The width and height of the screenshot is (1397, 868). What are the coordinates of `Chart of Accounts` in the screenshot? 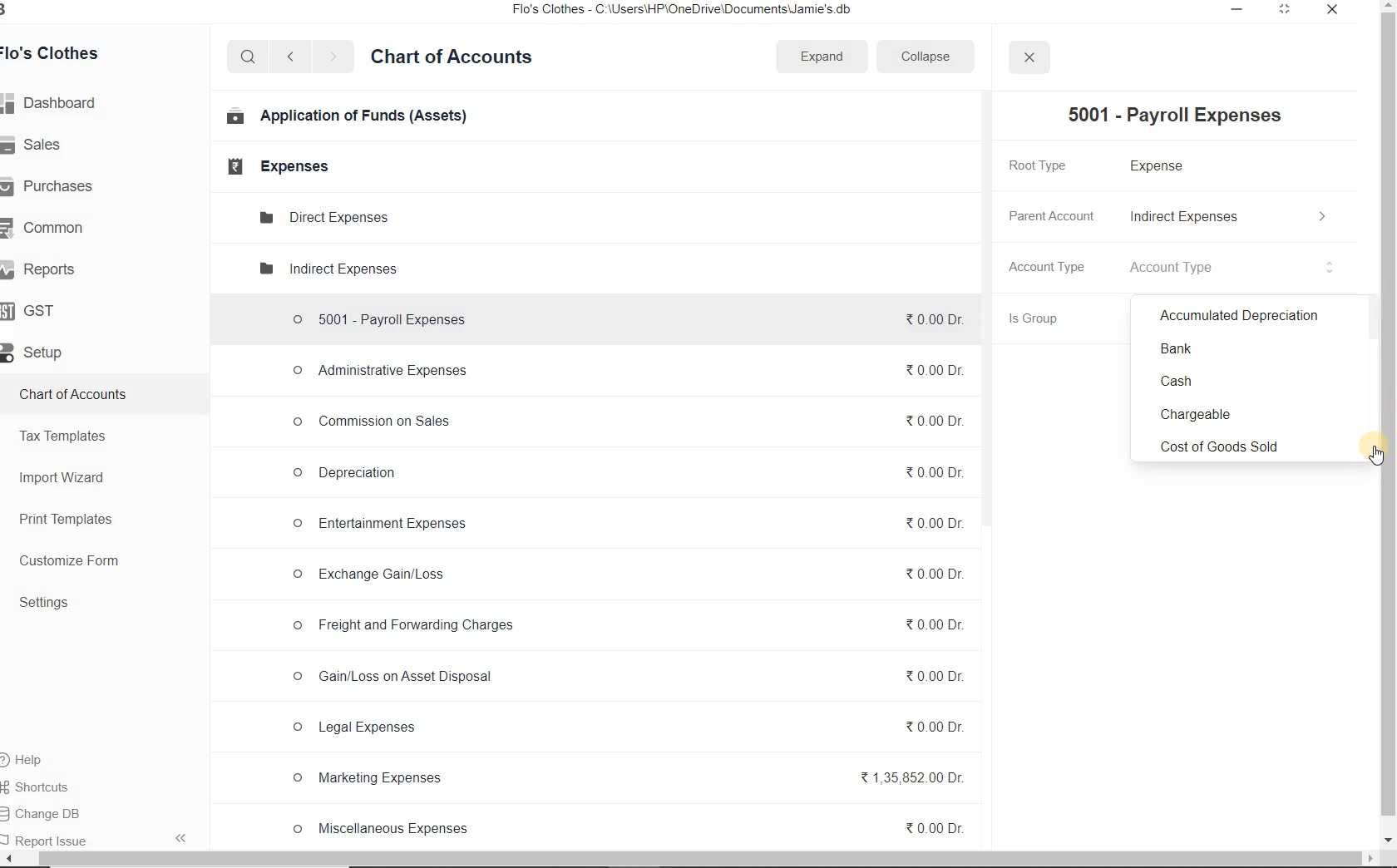 It's located at (80, 393).